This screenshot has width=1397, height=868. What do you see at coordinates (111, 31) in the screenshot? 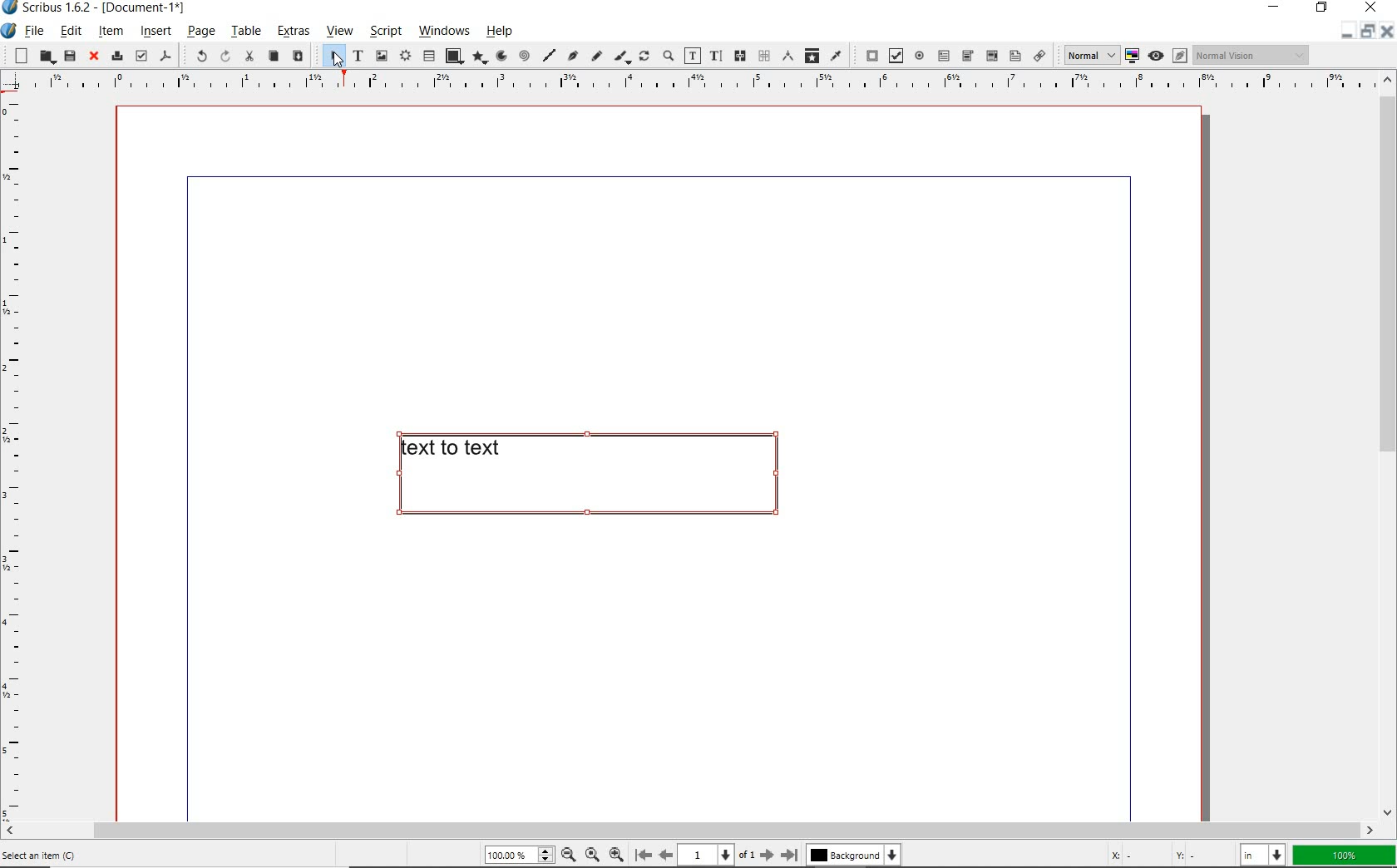
I see `item` at bounding box center [111, 31].